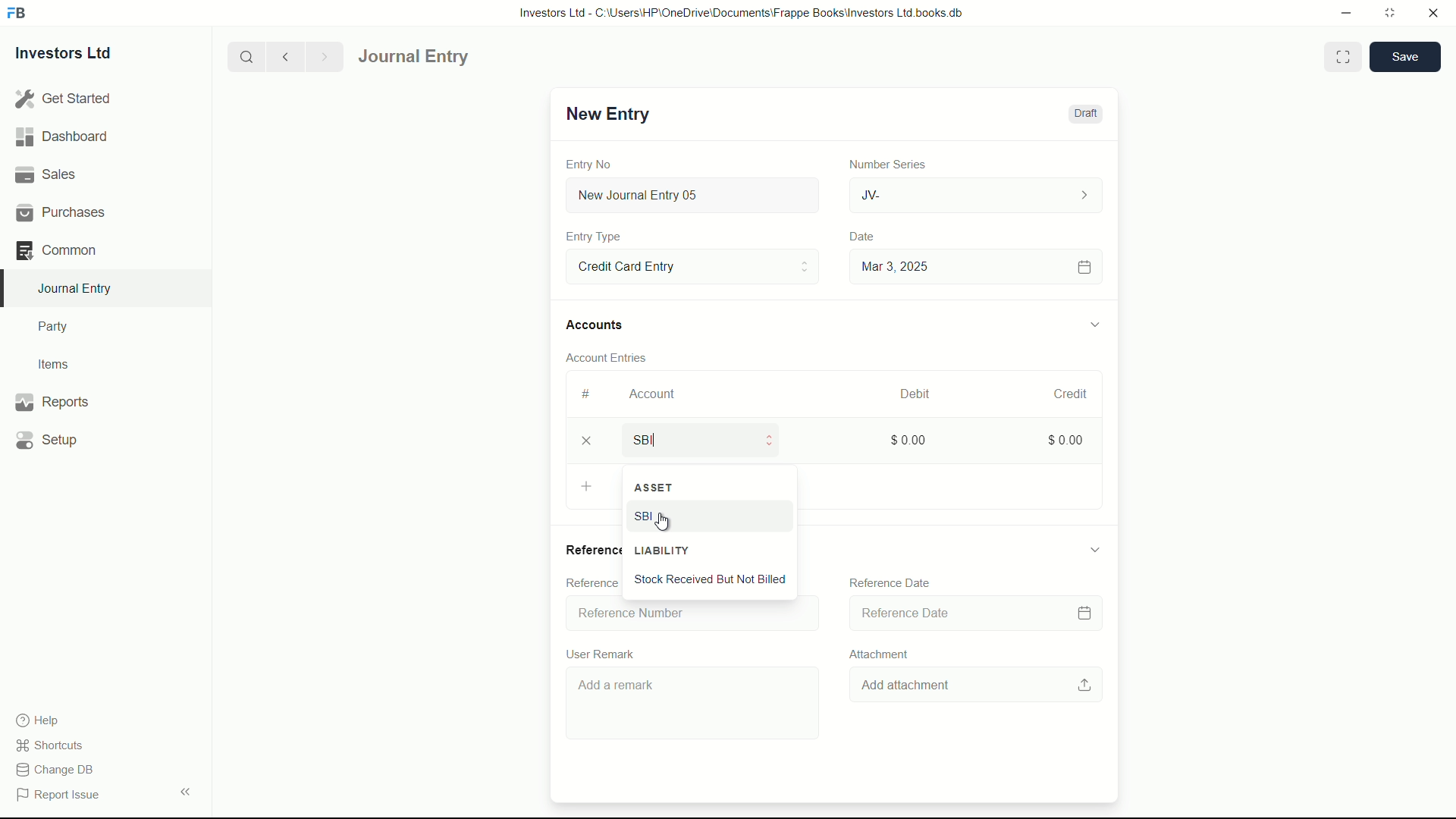 The image size is (1456, 819). Describe the element at coordinates (1094, 322) in the screenshot. I see `expand/collapse` at that location.